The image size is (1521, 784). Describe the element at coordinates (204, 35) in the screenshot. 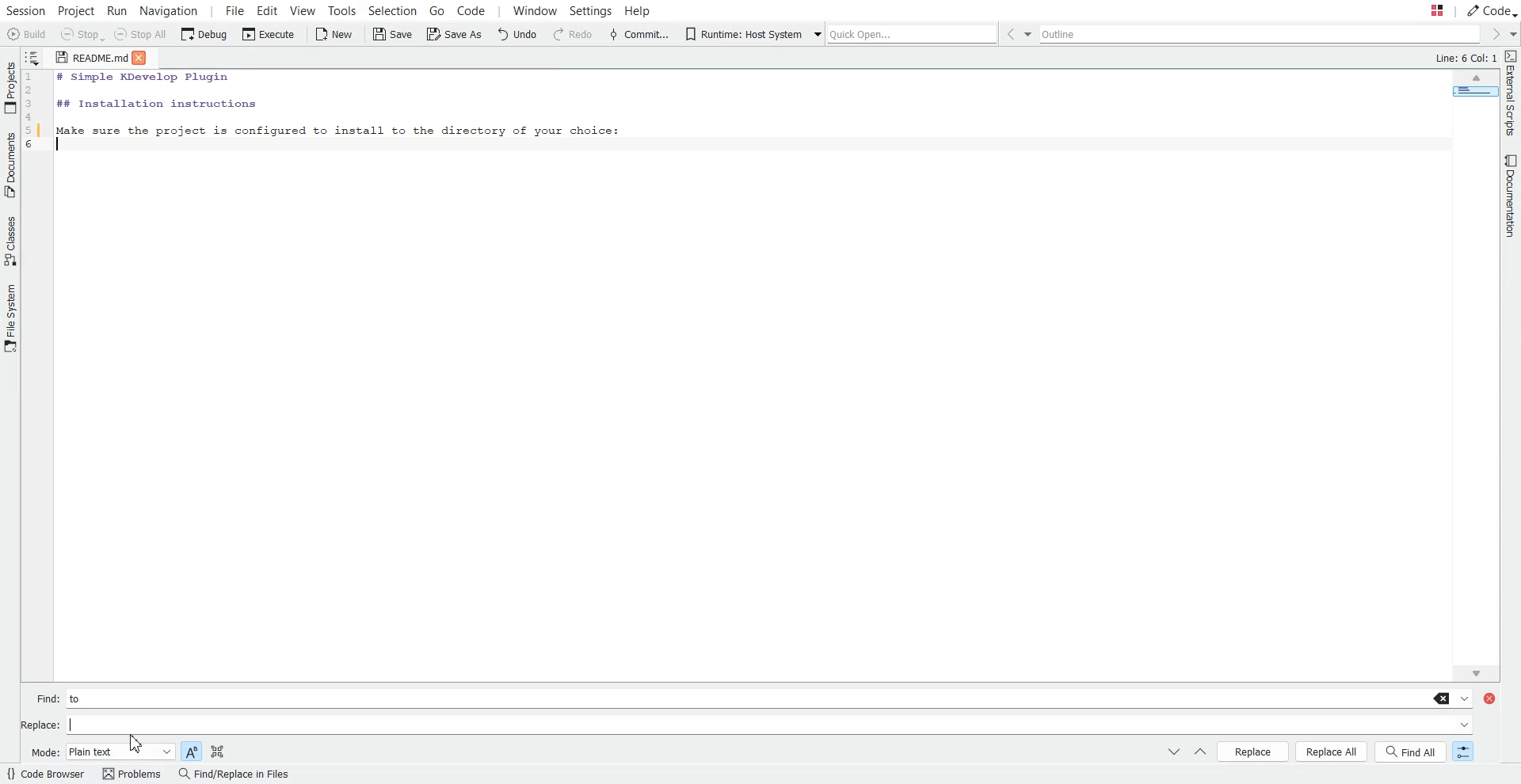

I see `Debug` at that location.